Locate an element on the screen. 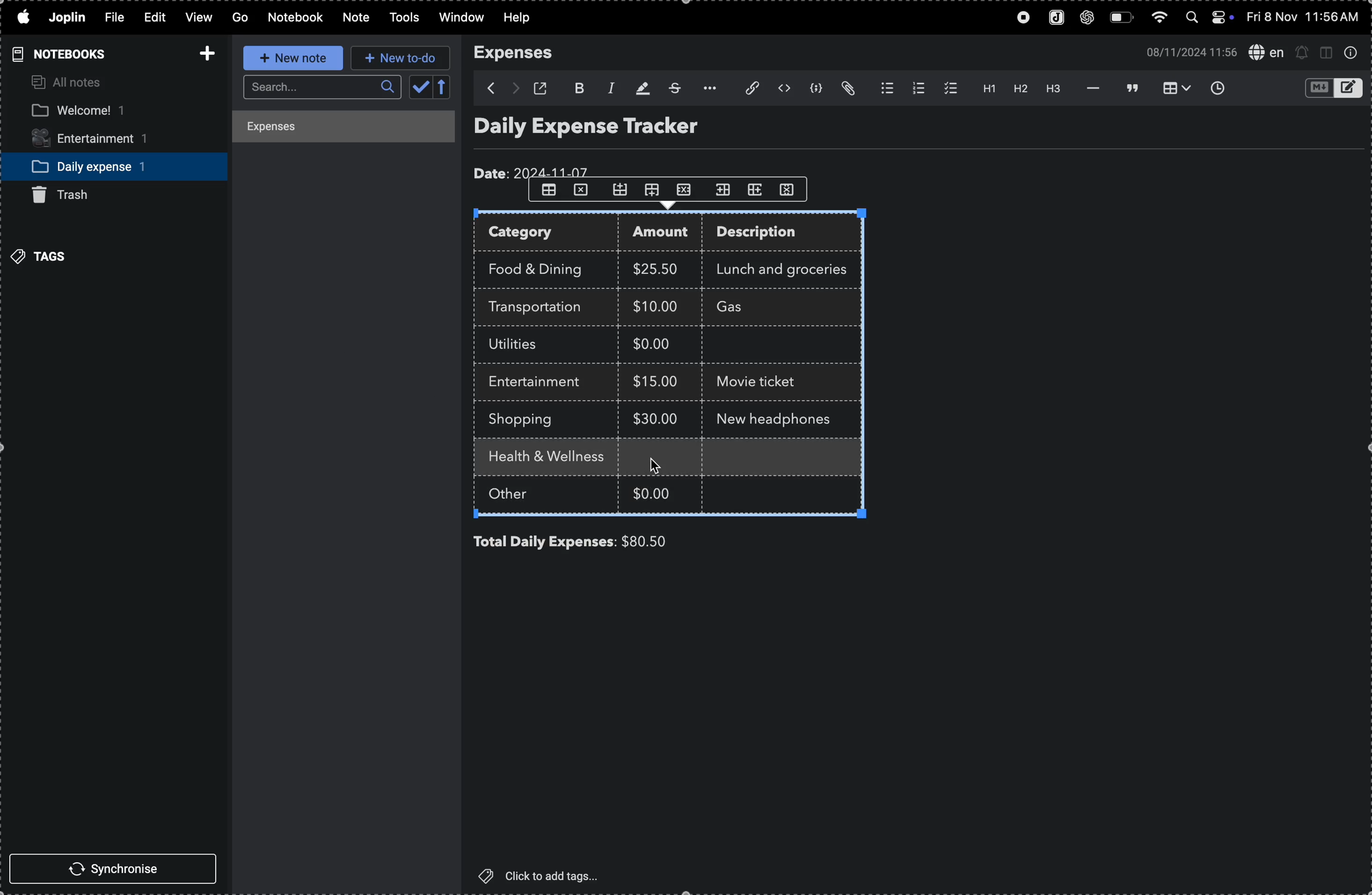 Image resolution: width=1372 pixels, height=895 pixels. Daily expense tracker is located at coordinates (608, 129).